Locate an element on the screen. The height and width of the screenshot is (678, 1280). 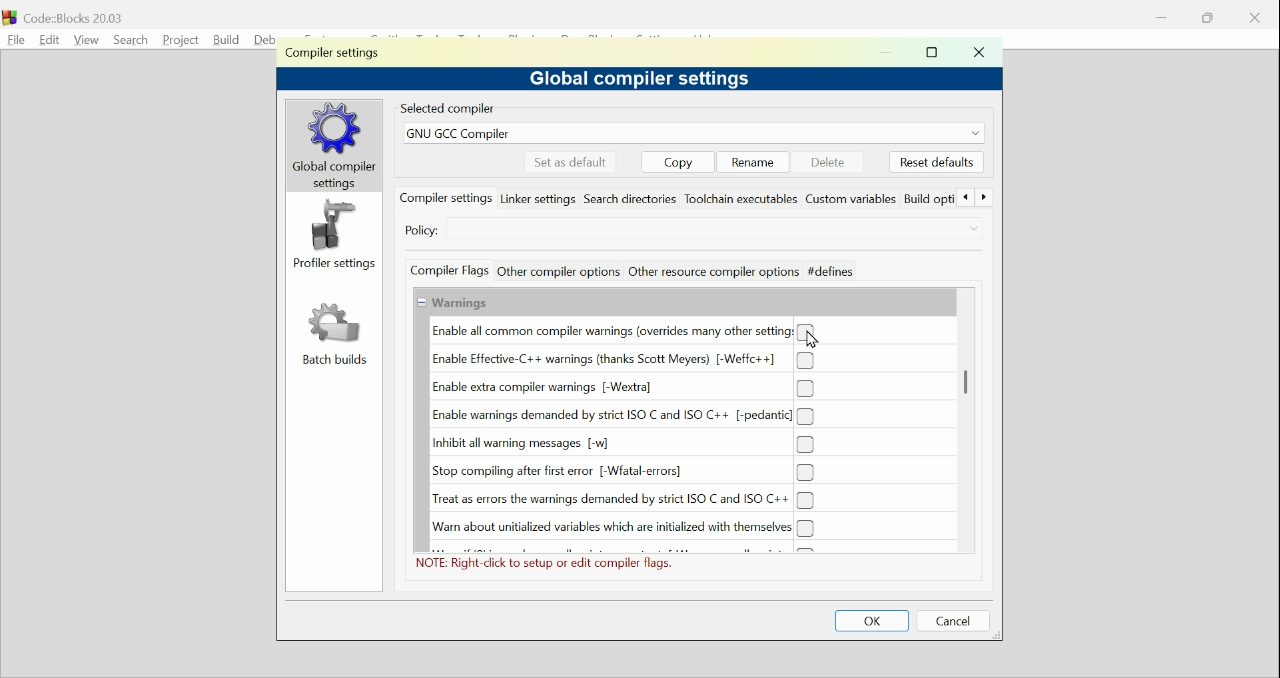
Search directories is located at coordinates (632, 200).